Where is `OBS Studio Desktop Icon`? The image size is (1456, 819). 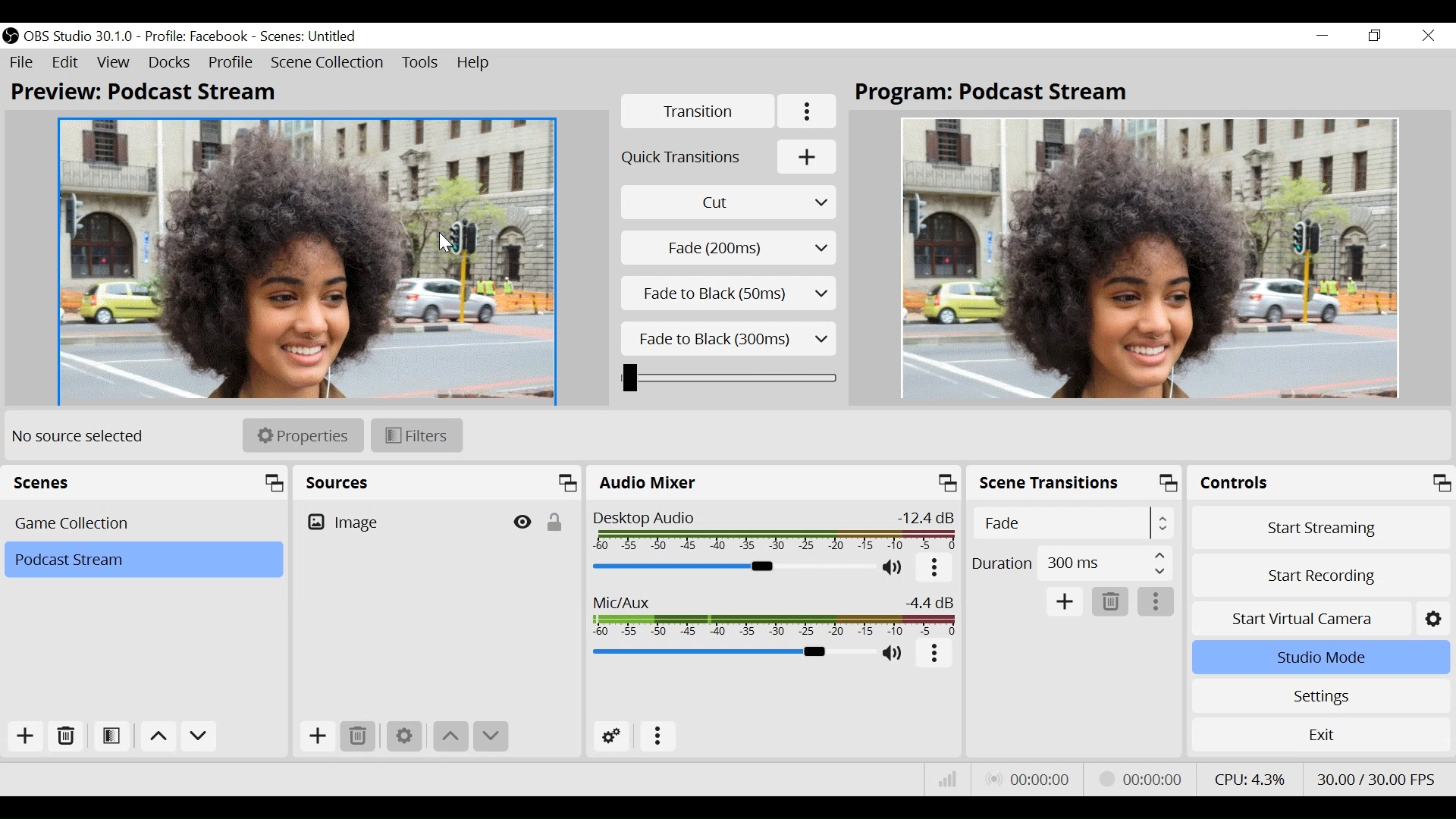 OBS Studio Desktop Icon is located at coordinates (11, 36).